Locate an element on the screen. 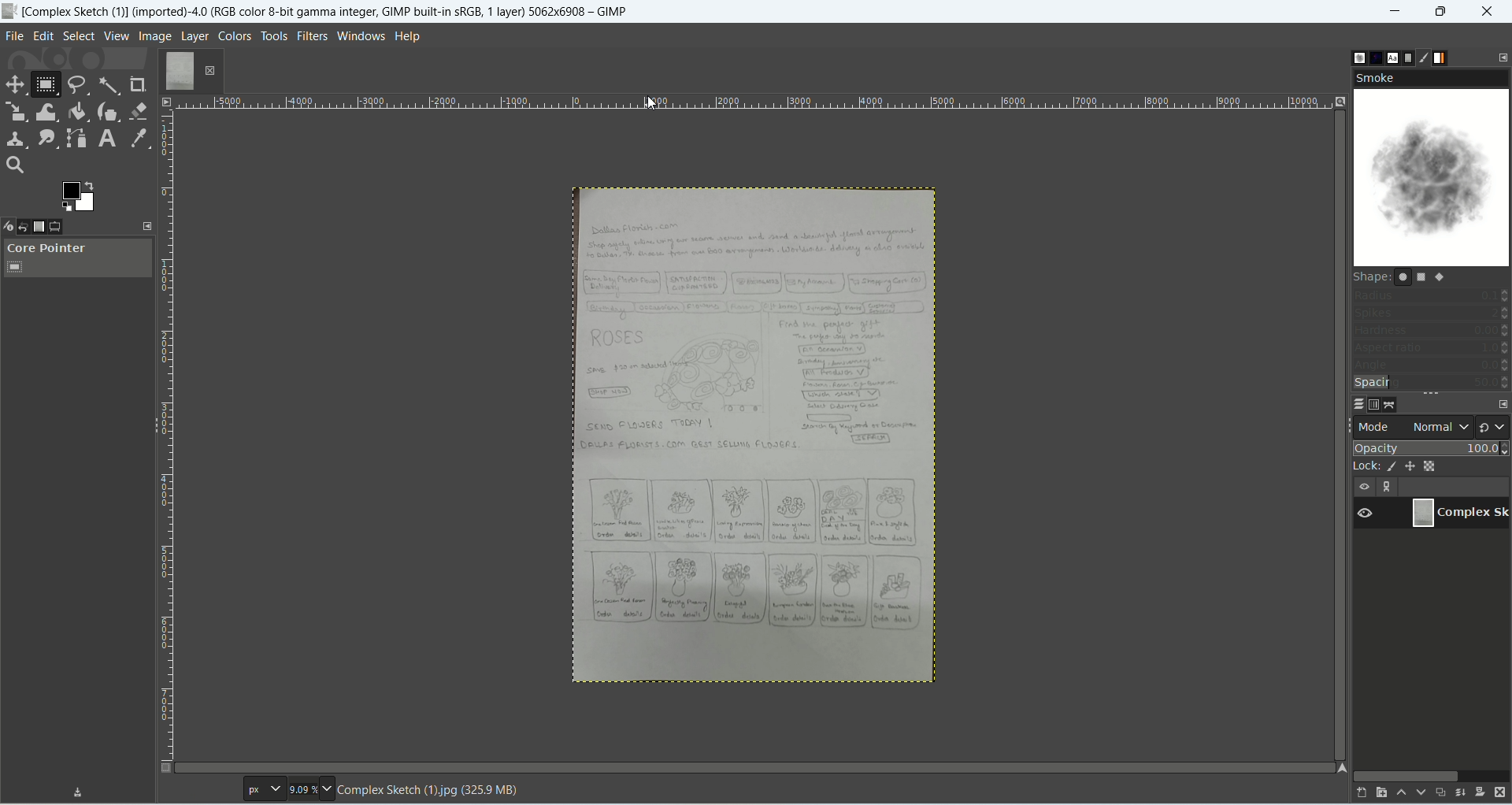 The image size is (1512, 805). smudge tool is located at coordinates (46, 139).